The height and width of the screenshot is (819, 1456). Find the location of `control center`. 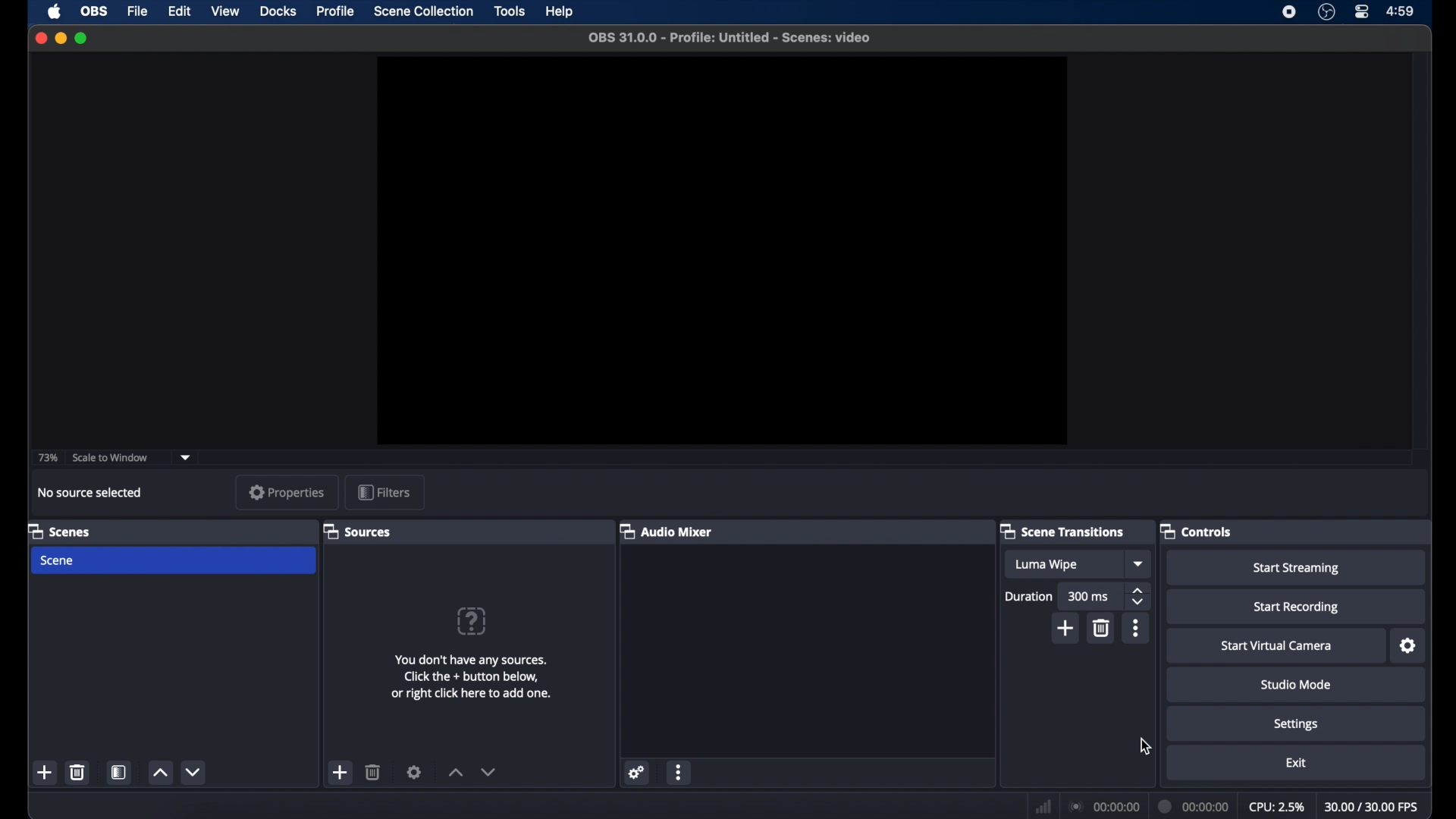

control center is located at coordinates (1360, 11).